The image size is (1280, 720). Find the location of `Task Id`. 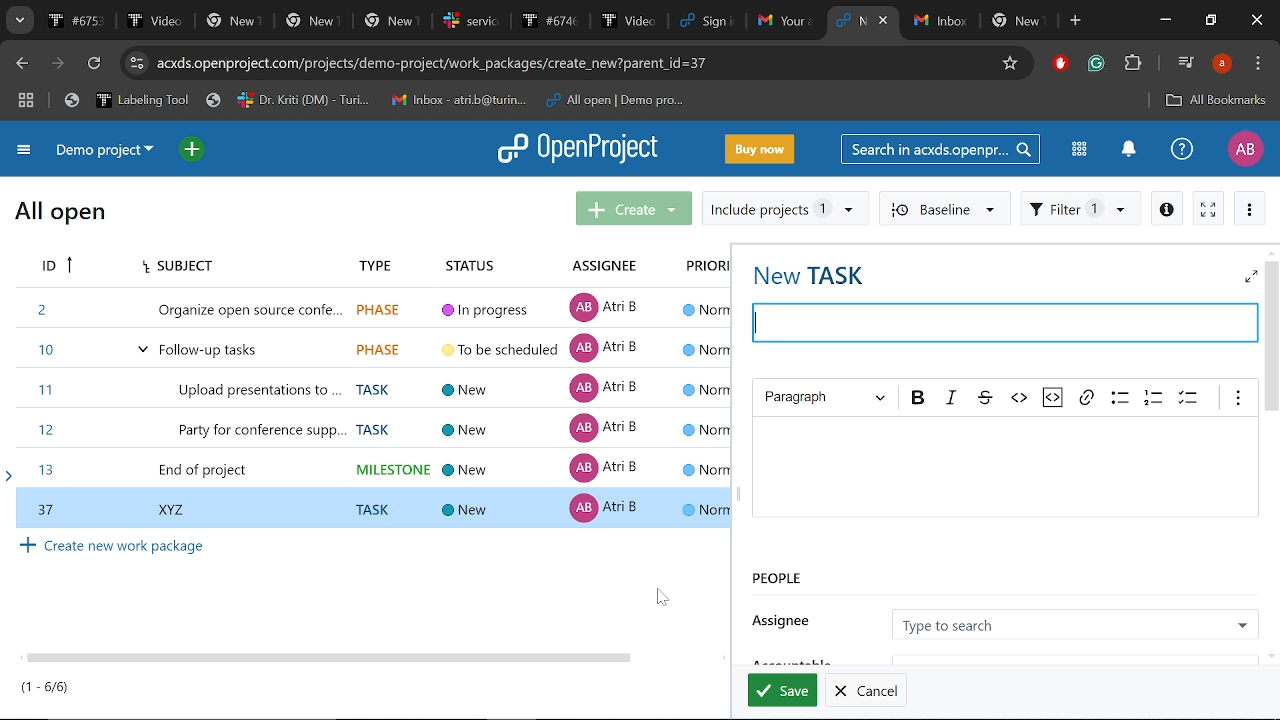

Task Id is located at coordinates (54, 267).